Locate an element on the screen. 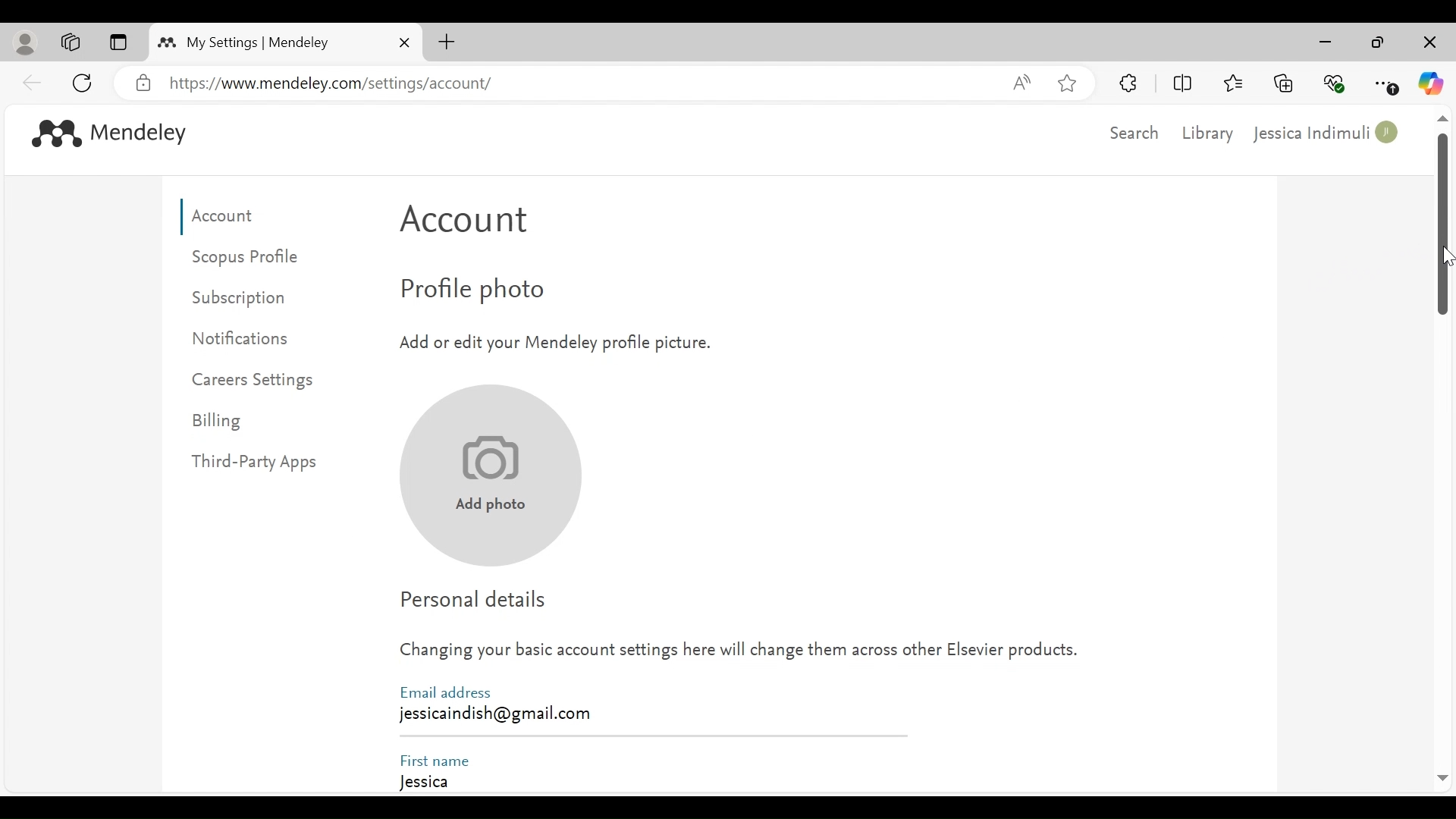 This screenshot has width=1456, height=819. personal is located at coordinates (27, 43).